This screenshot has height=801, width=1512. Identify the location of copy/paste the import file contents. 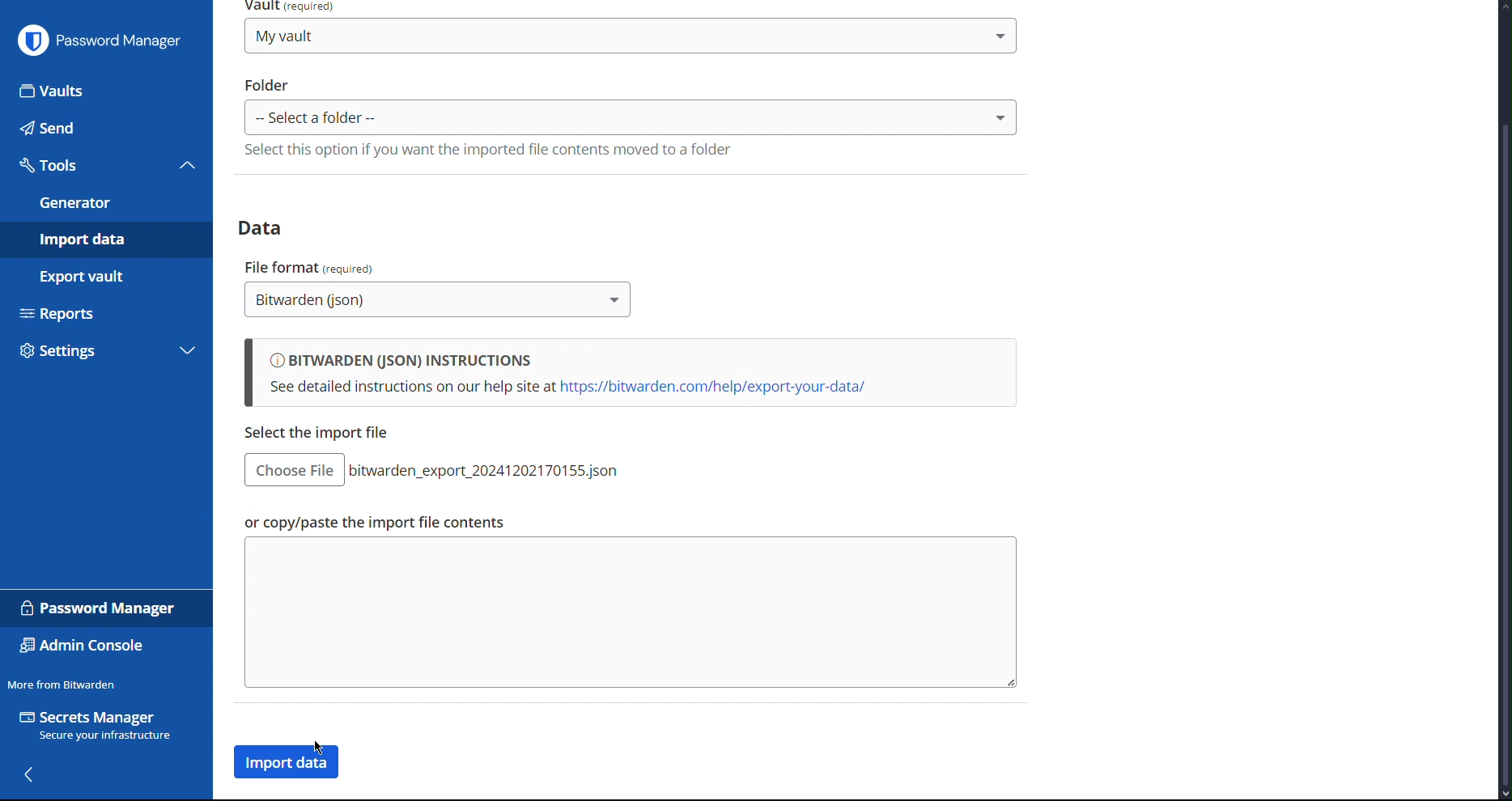
(628, 613).